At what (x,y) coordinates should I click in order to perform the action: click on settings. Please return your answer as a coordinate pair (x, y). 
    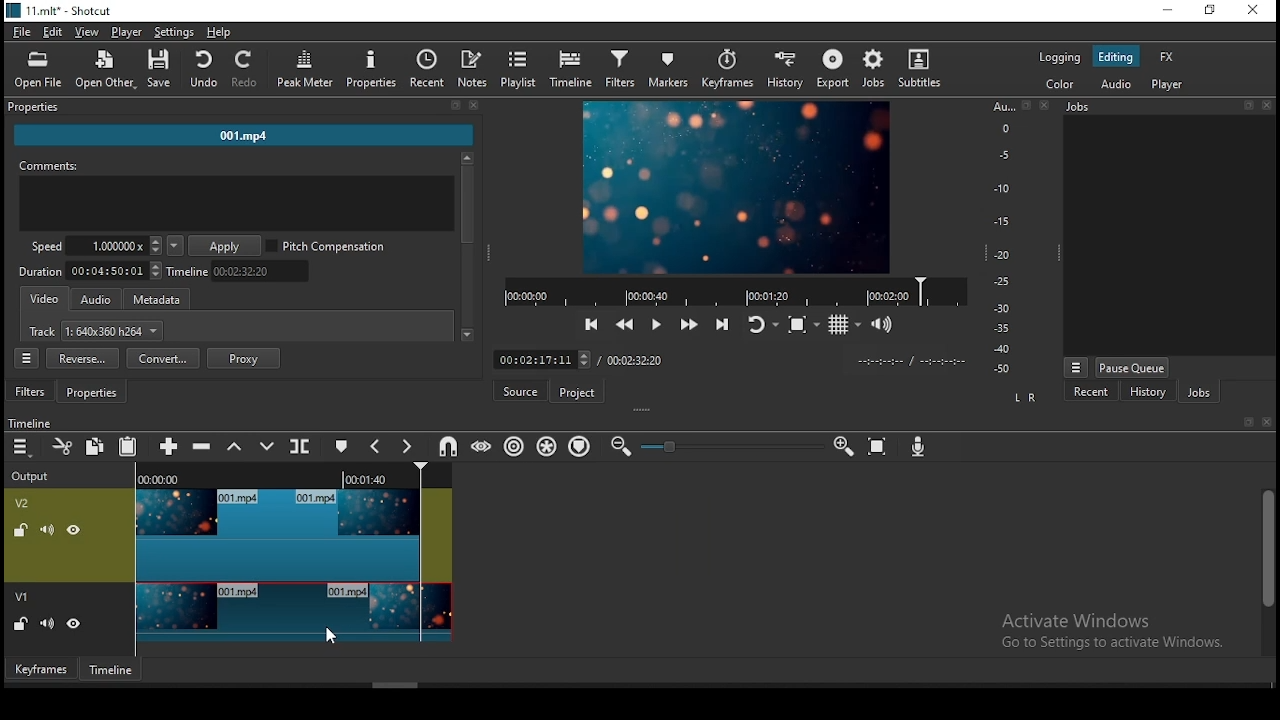
    Looking at the image, I should click on (174, 31).